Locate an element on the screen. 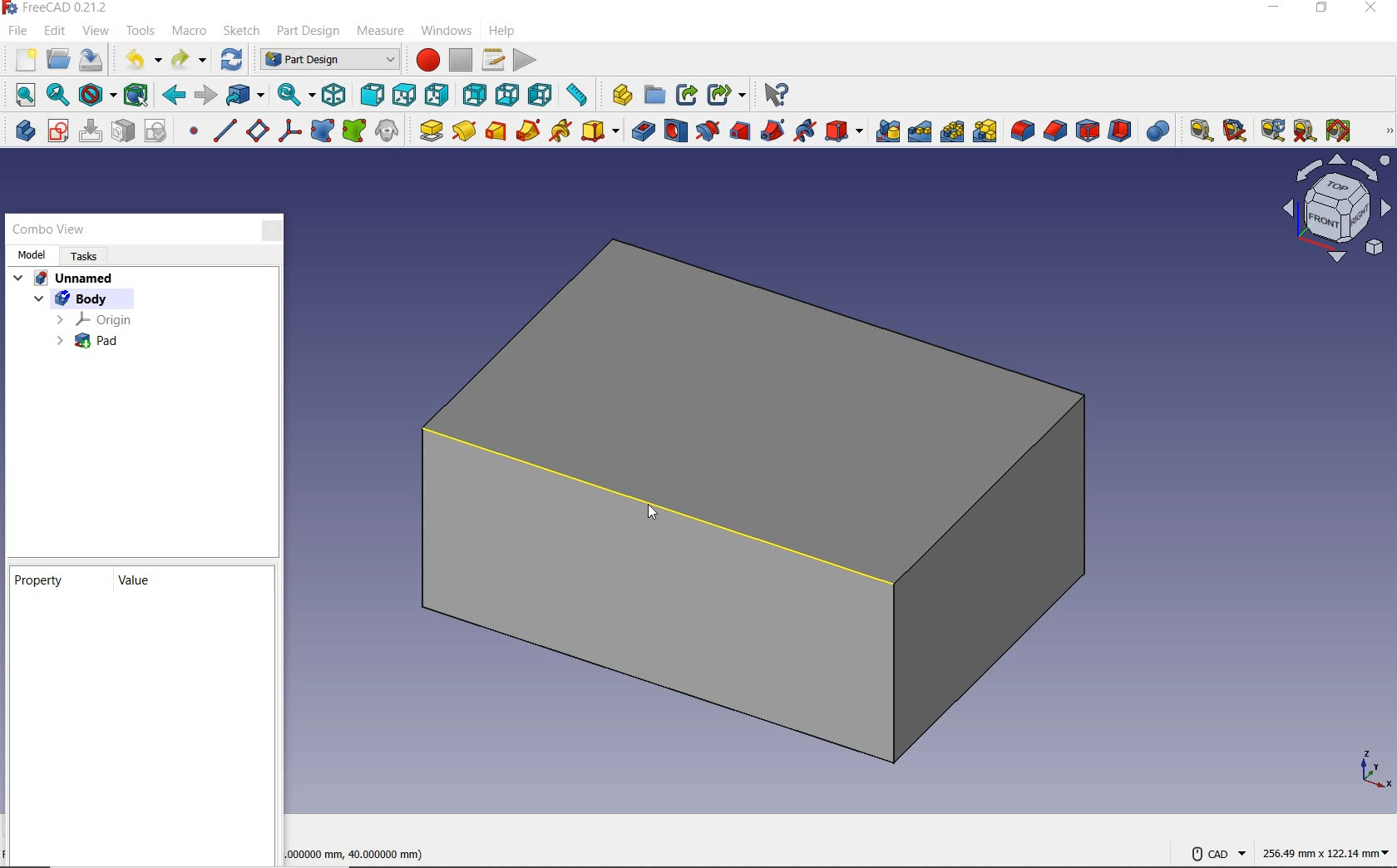 This screenshot has width=1397, height=868. edit is located at coordinates (55, 32).